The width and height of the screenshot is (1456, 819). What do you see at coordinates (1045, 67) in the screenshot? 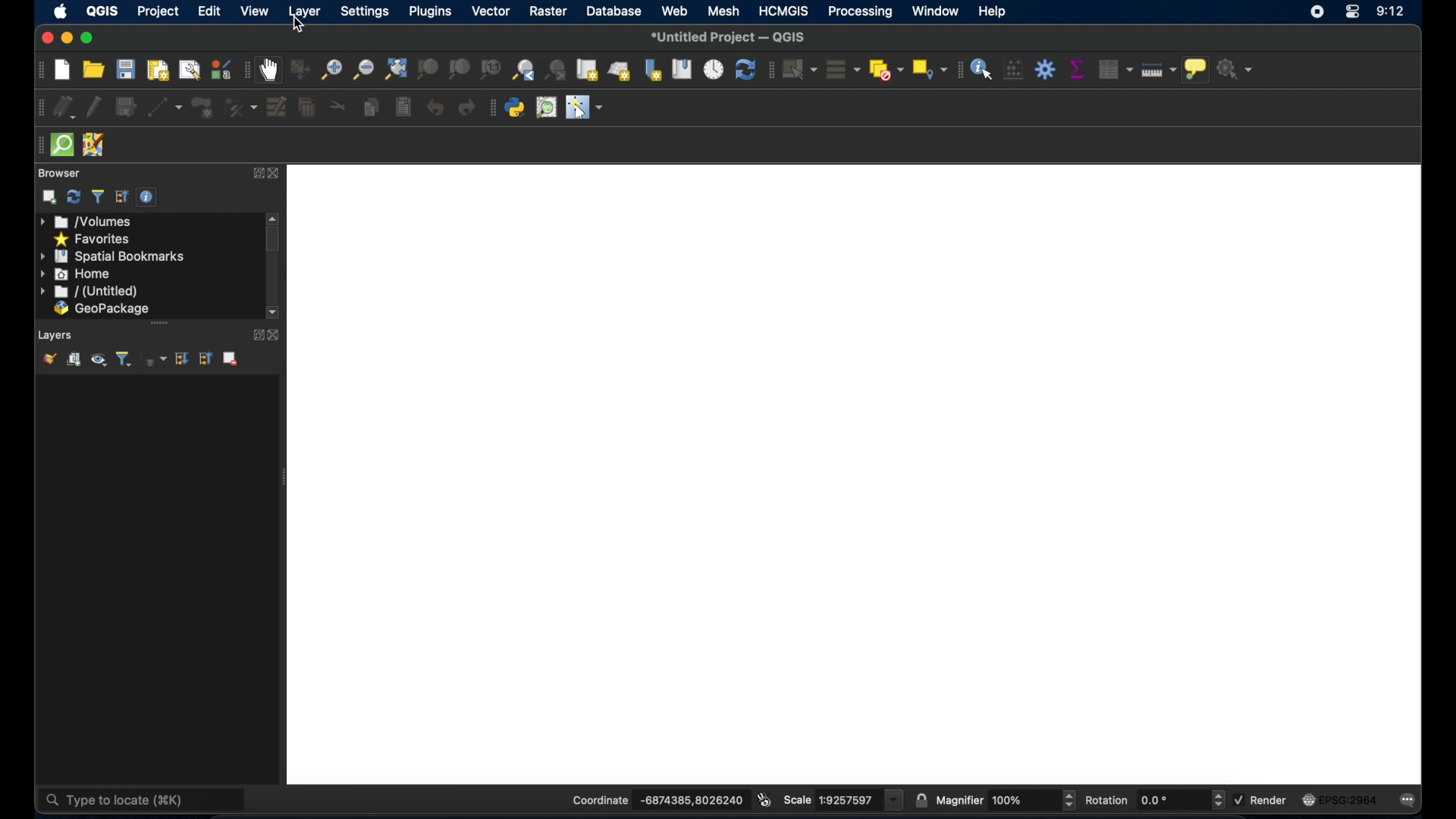
I see `toolbox` at bounding box center [1045, 67].